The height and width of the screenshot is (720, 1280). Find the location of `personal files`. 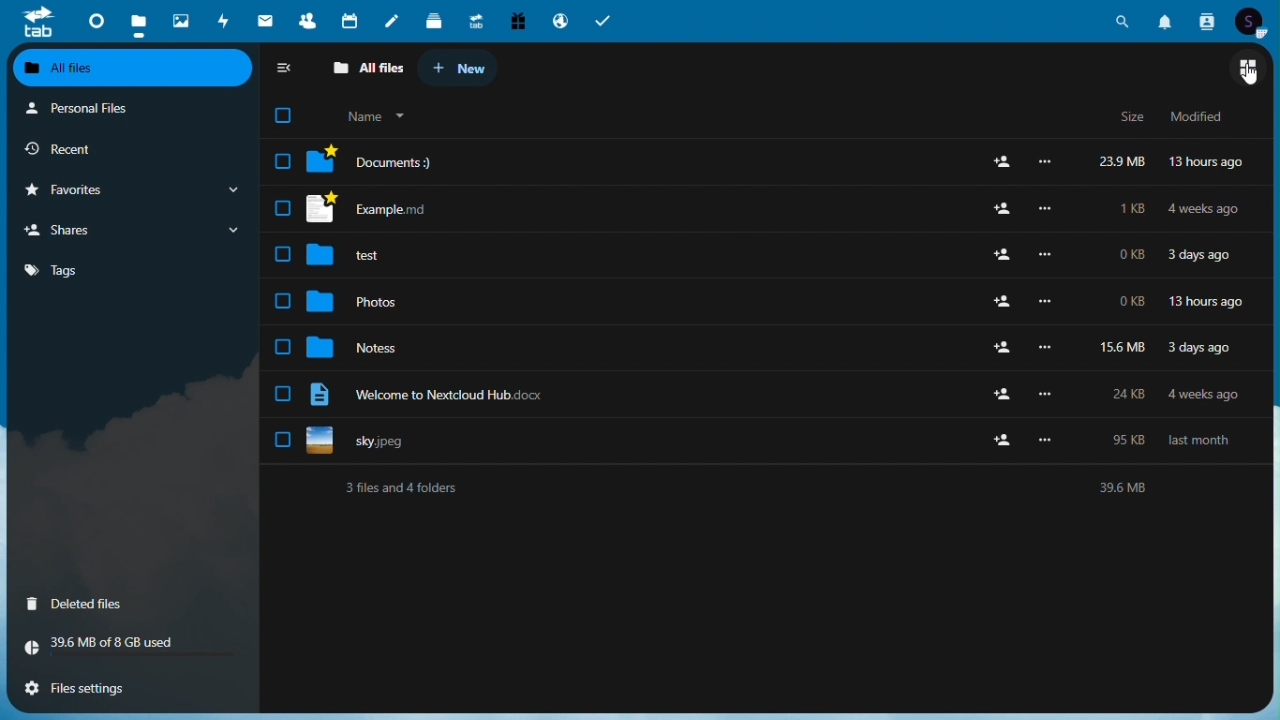

personal files is located at coordinates (117, 109).